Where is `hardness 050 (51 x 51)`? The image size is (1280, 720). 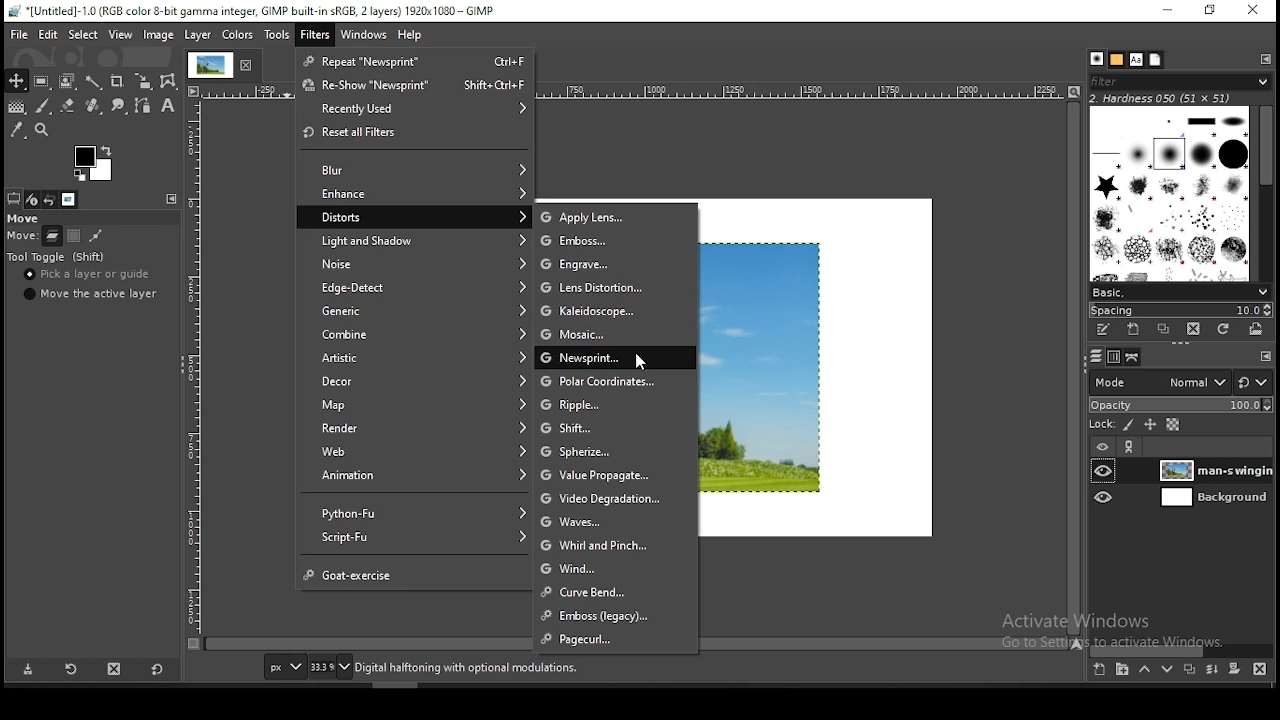
hardness 050 (51 x 51) is located at coordinates (1161, 99).